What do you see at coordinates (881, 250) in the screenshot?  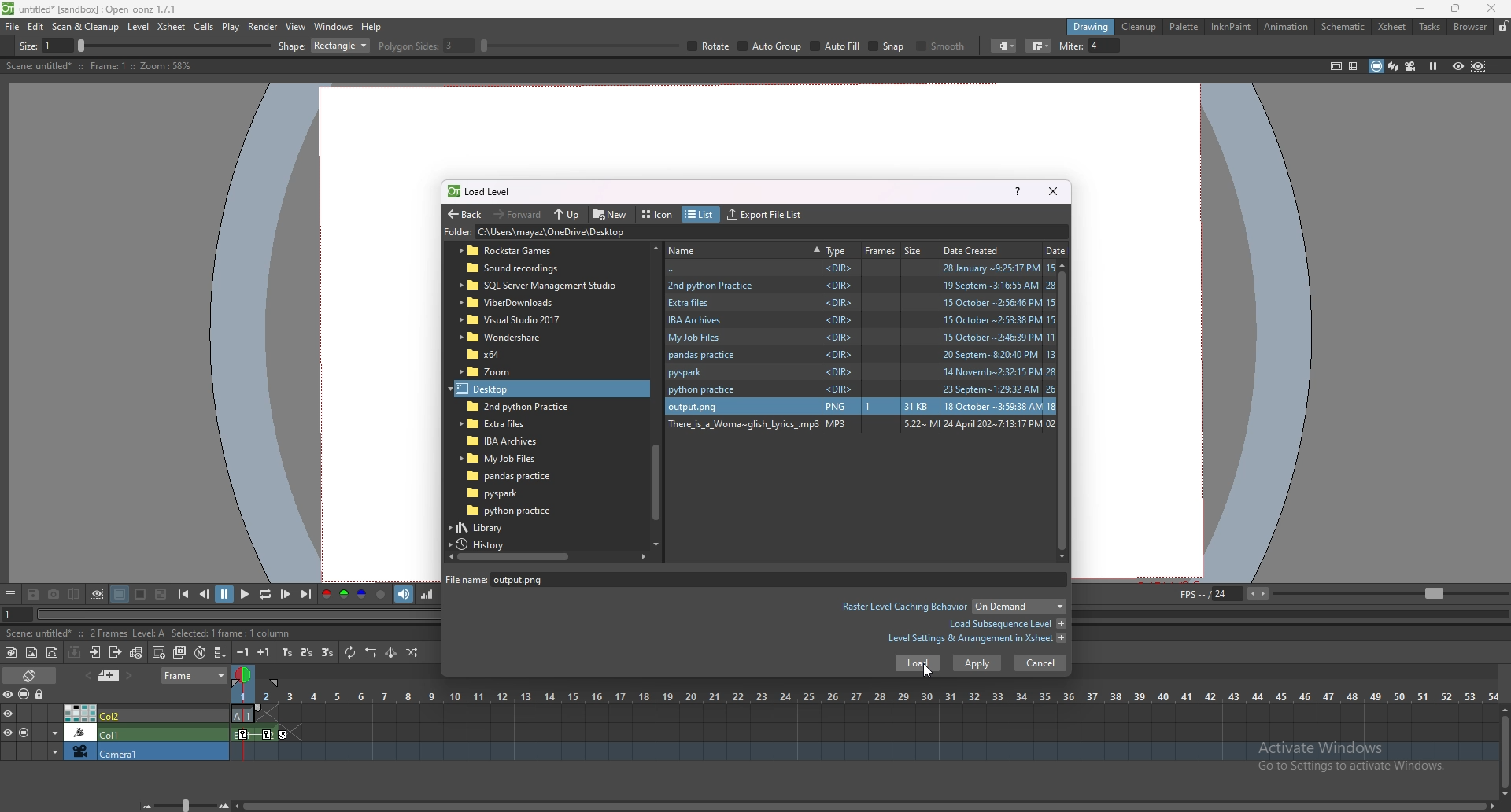 I see `frames` at bounding box center [881, 250].